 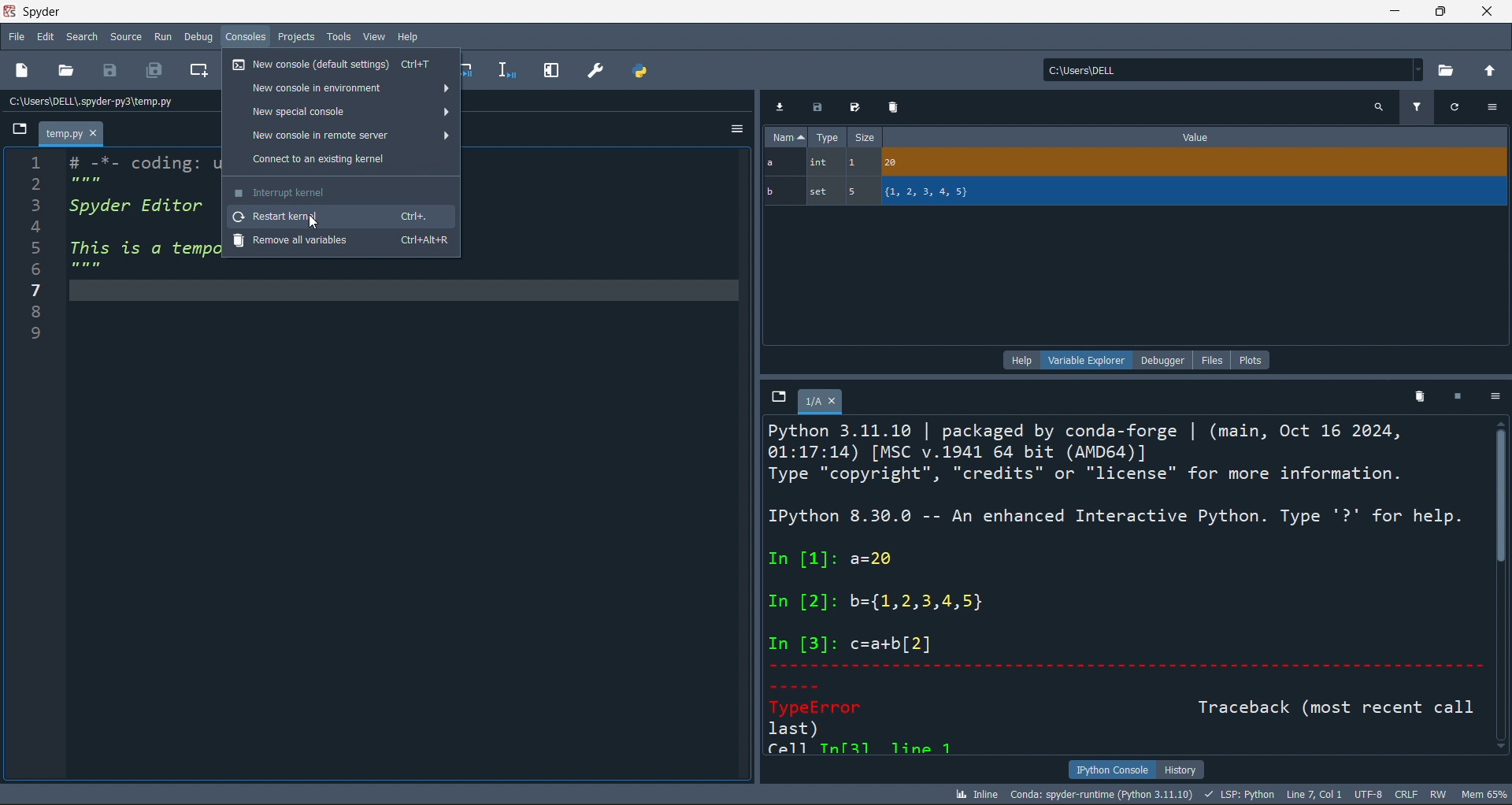 What do you see at coordinates (343, 161) in the screenshot?
I see `connected to an existing kernel` at bounding box center [343, 161].